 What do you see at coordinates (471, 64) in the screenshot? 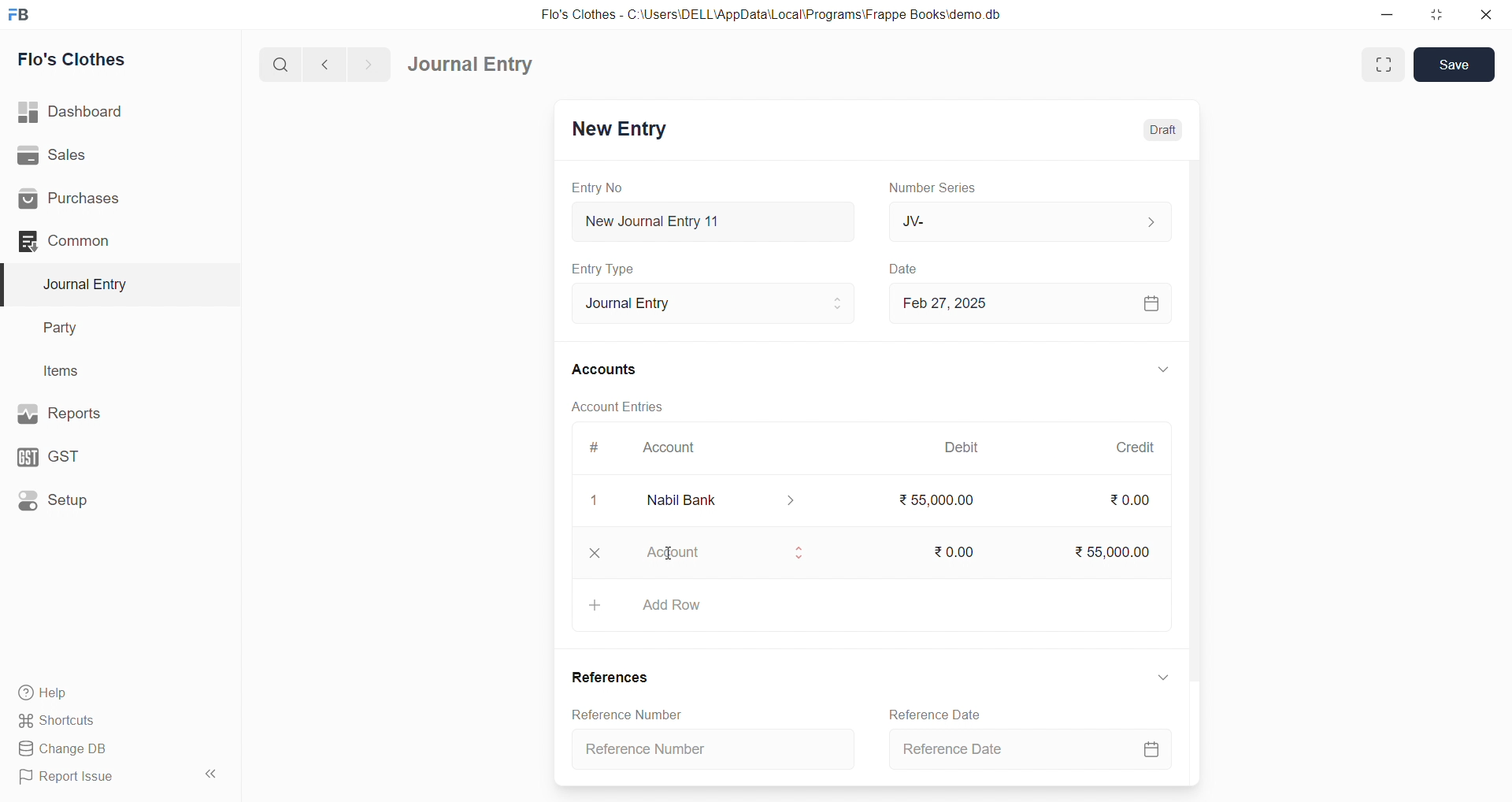
I see `Journal Entry` at bounding box center [471, 64].